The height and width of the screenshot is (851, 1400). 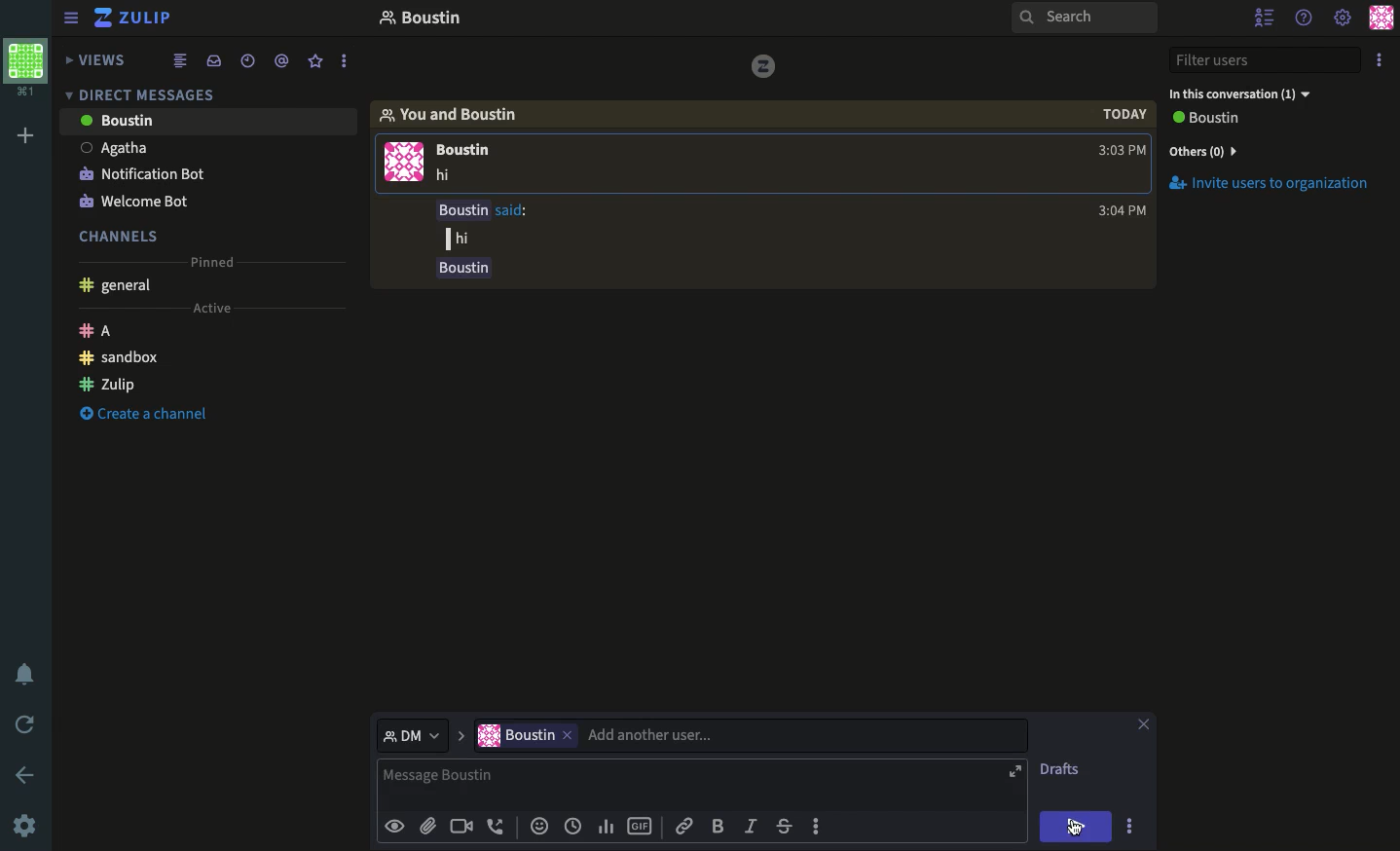 What do you see at coordinates (25, 675) in the screenshot?
I see `Notification` at bounding box center [25, 675].